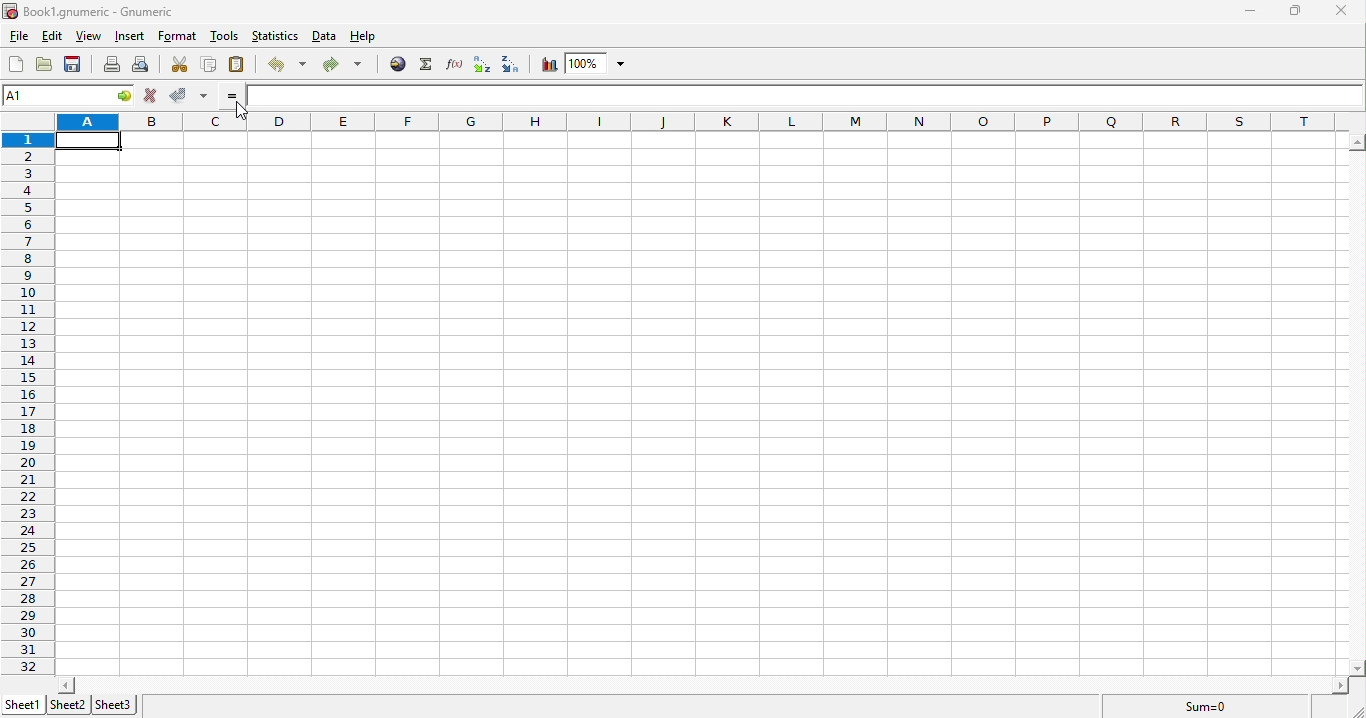 The image size is (1366, 718). I want to click on Book1.gnumeric -Gnumeric, so click(90, 11).